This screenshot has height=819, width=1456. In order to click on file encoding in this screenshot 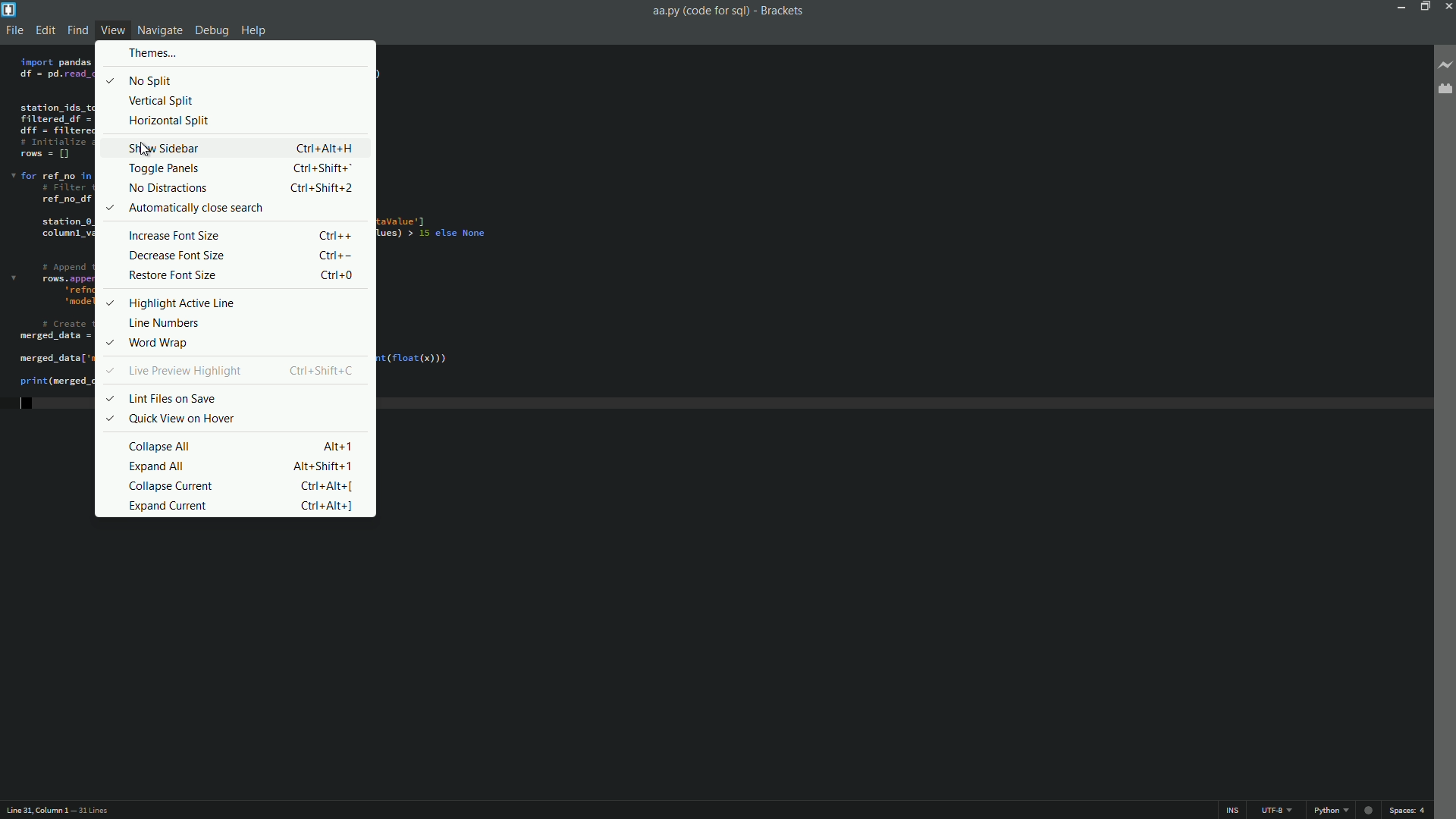, I will do `click(1277, 810)`.